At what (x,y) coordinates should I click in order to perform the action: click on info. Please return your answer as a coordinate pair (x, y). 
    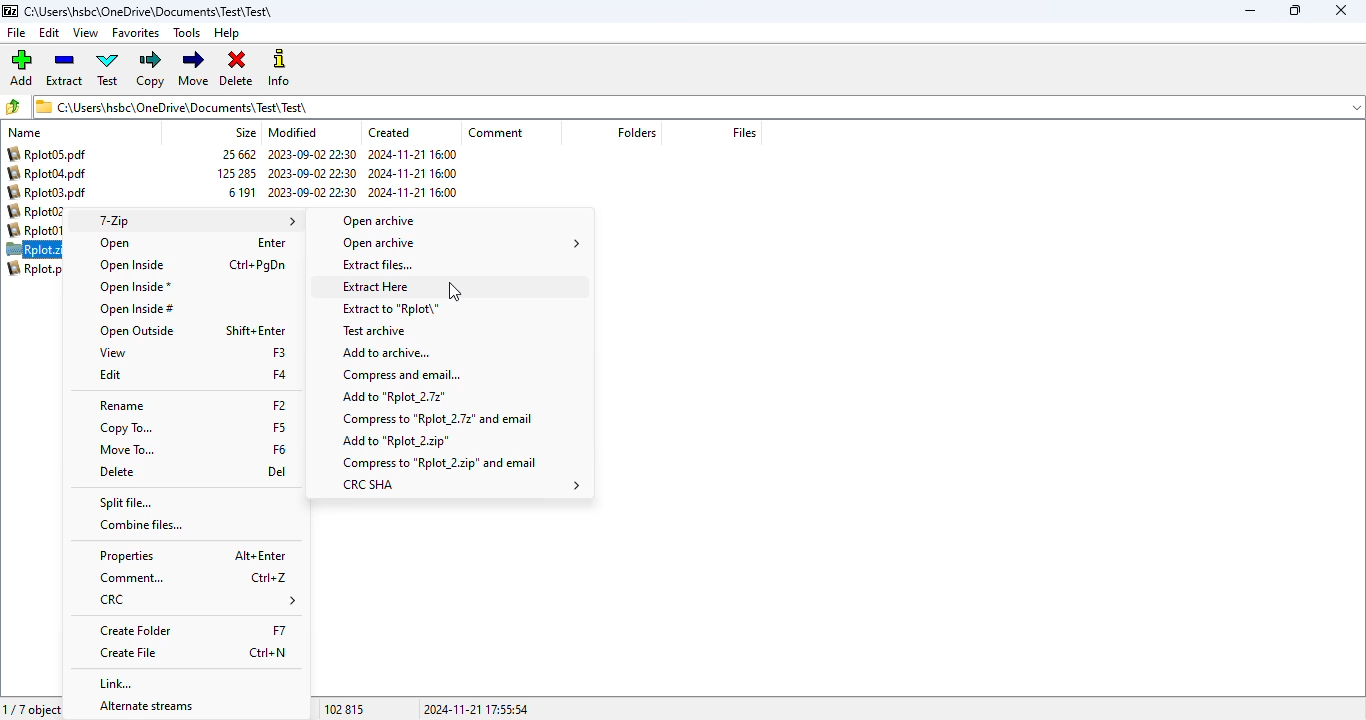
    Looking at the image, I should click on (277, 67).